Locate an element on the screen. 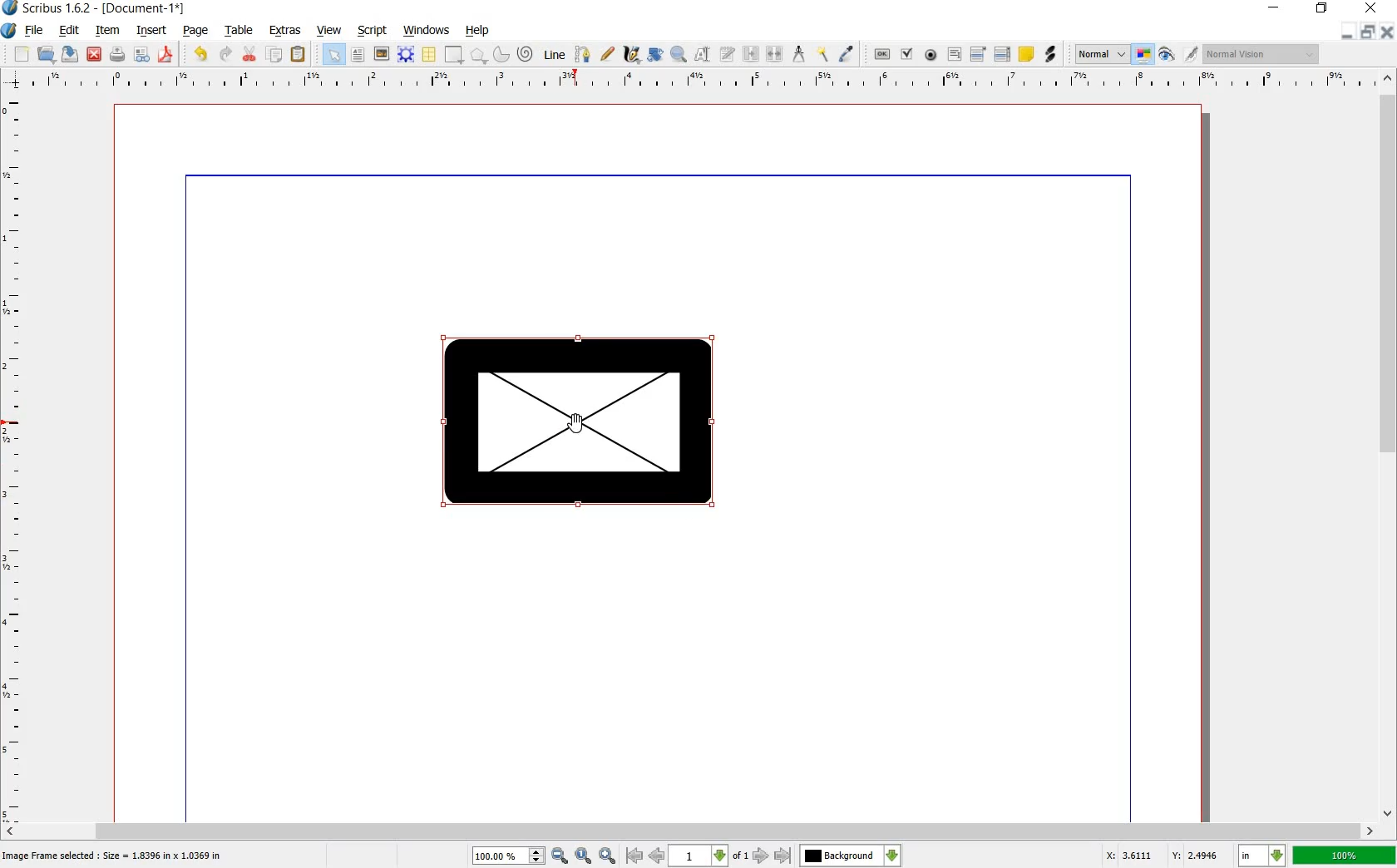 This screenshot has height=868, width=1397. line is located at coordinates (554, 55).